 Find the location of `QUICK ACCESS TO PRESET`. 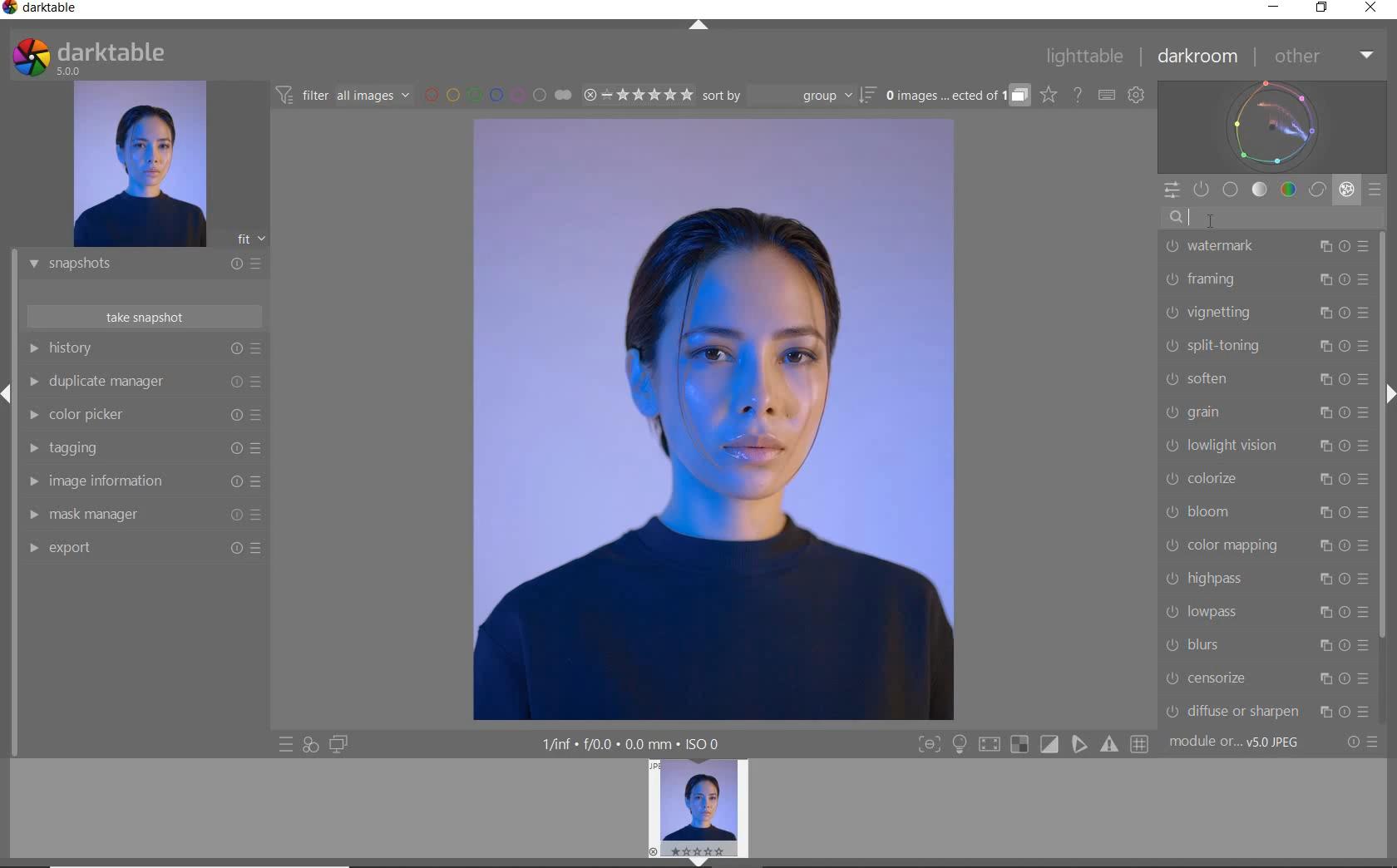

QUICK ACCESS TO PRESET is located at coordinates (287, 746).